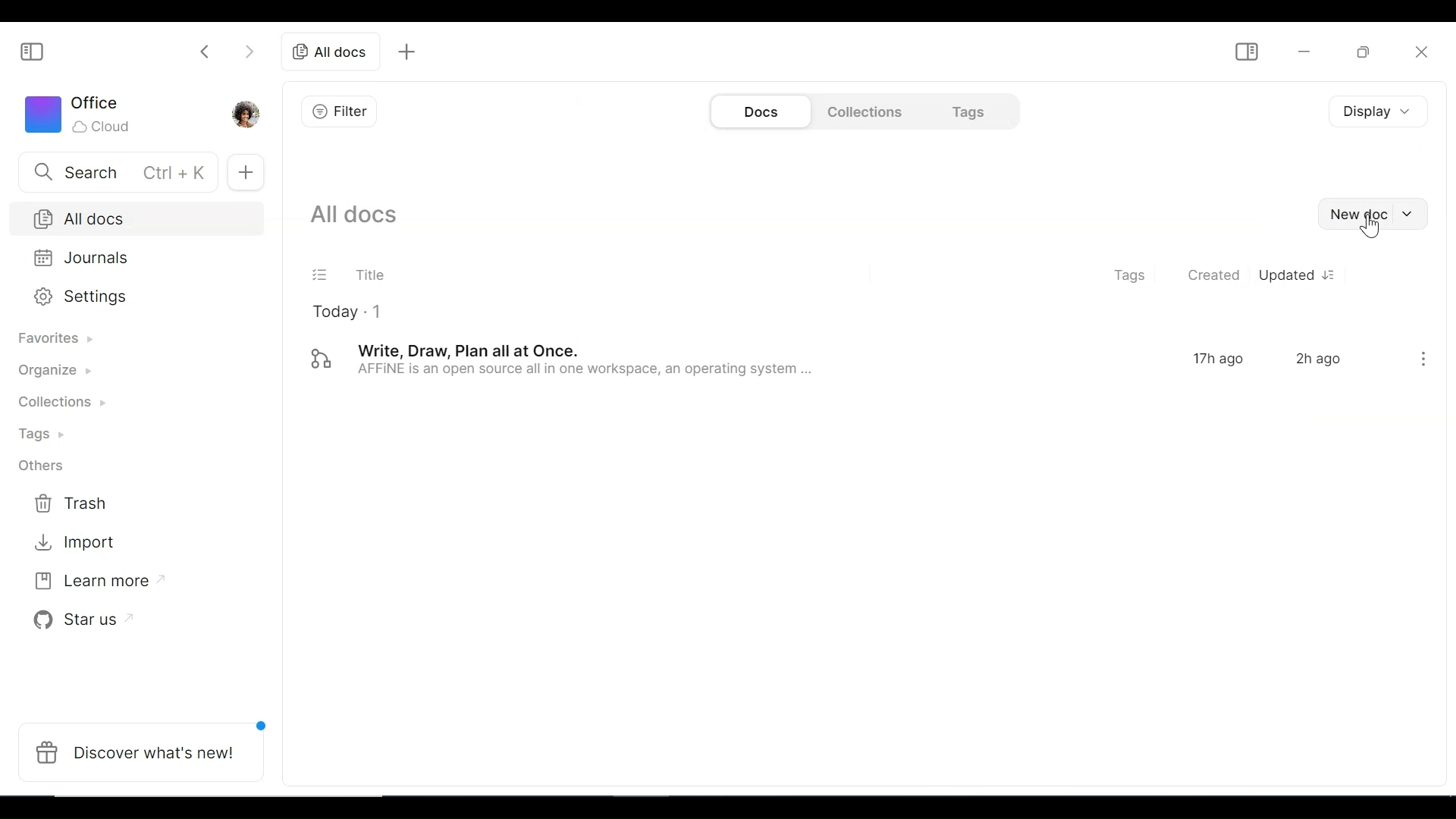 The image size is (1456, 819). What do you see at coordinates (90, 115) in the screenshot?
I see `Workspace` at bounding box center [90, 115].